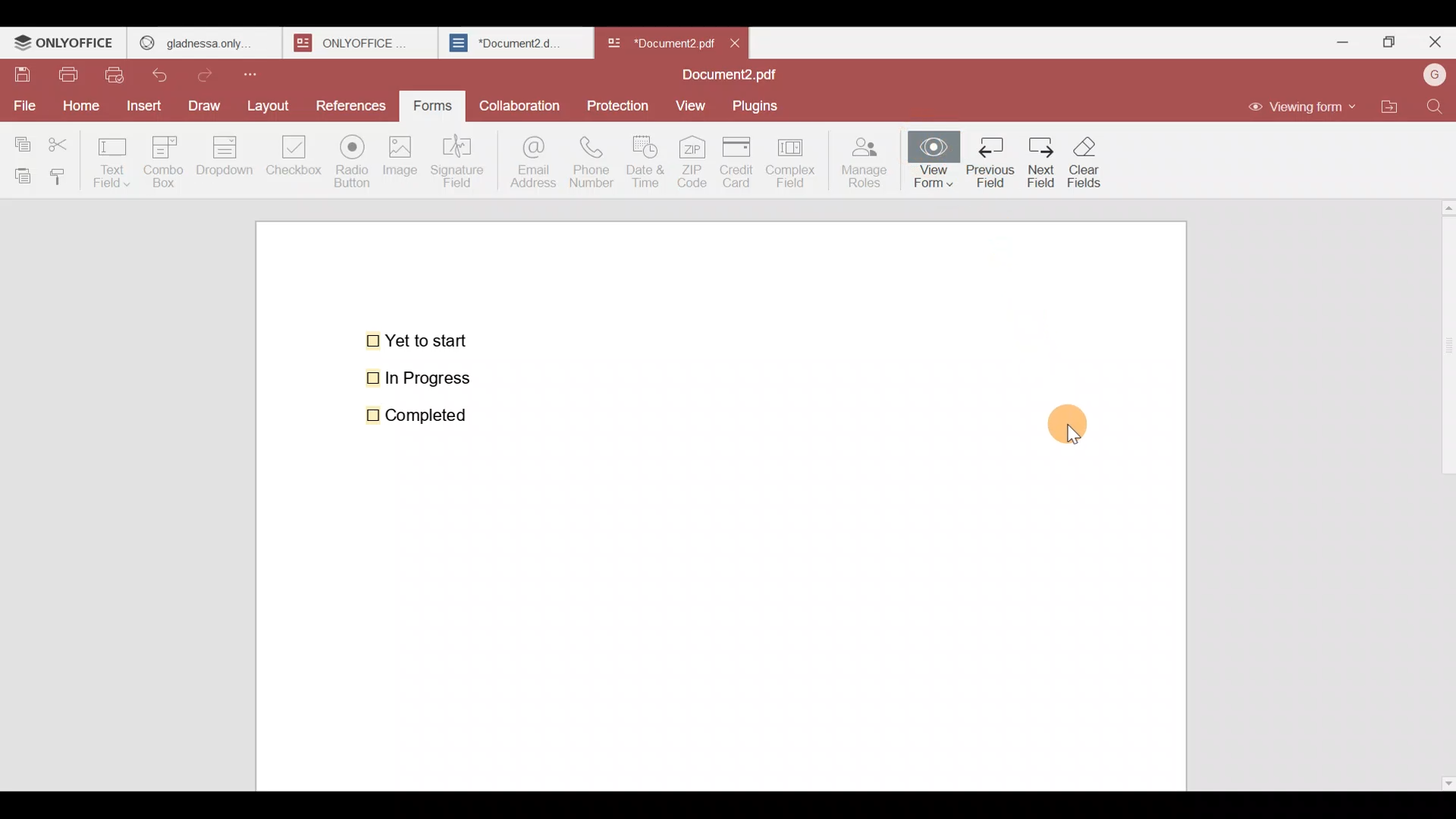  Describe the element at coordinates (789, 164) in the screenshot. I see `Complex field` at that location.